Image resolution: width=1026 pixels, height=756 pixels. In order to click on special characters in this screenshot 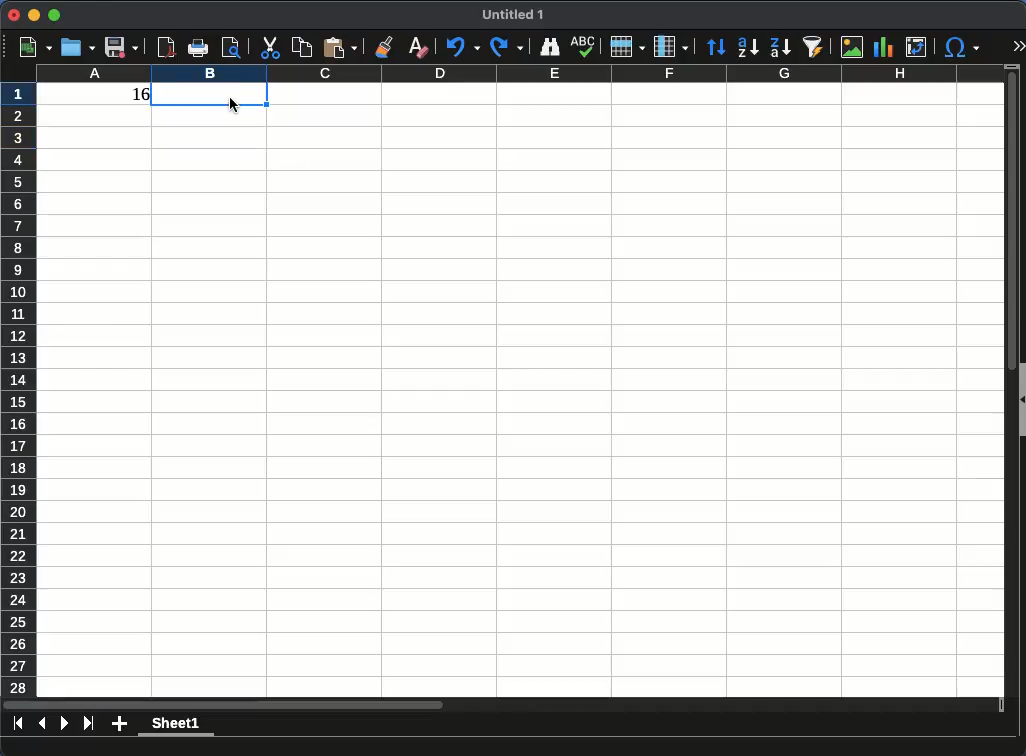, I will do `click(961, 48)`.